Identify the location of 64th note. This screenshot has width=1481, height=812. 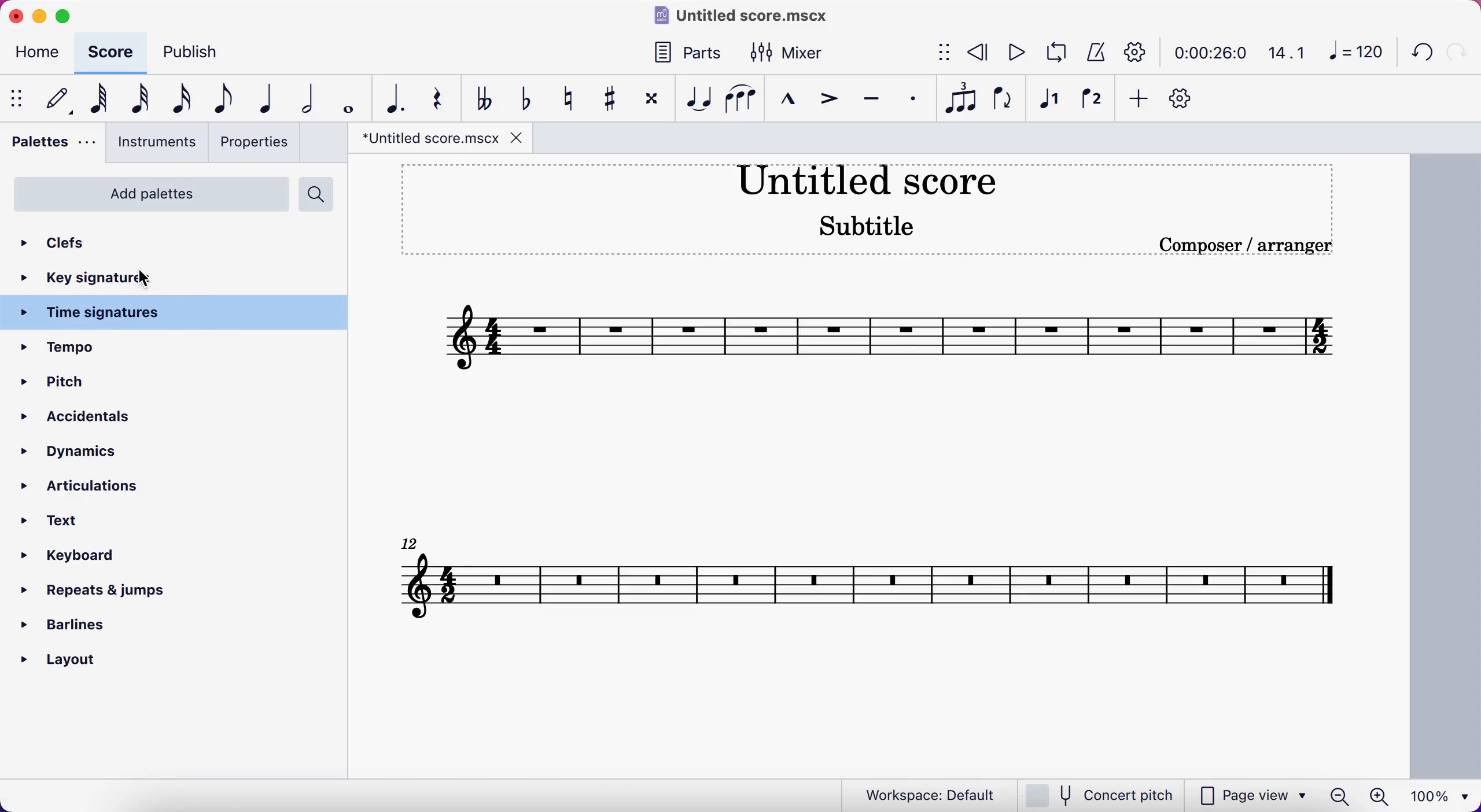
(101, 102).